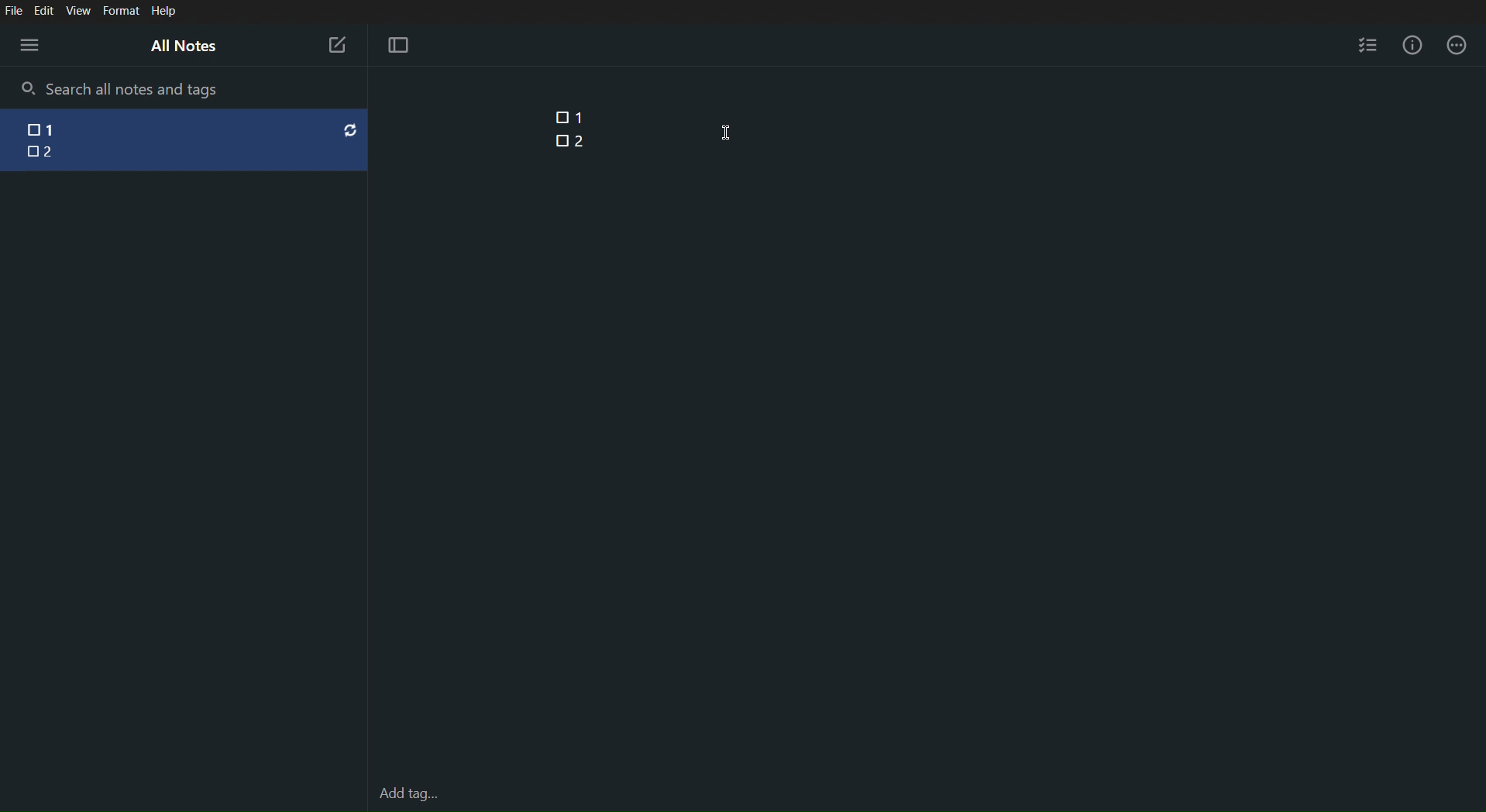  I want to click on 2, so click(53, 153).